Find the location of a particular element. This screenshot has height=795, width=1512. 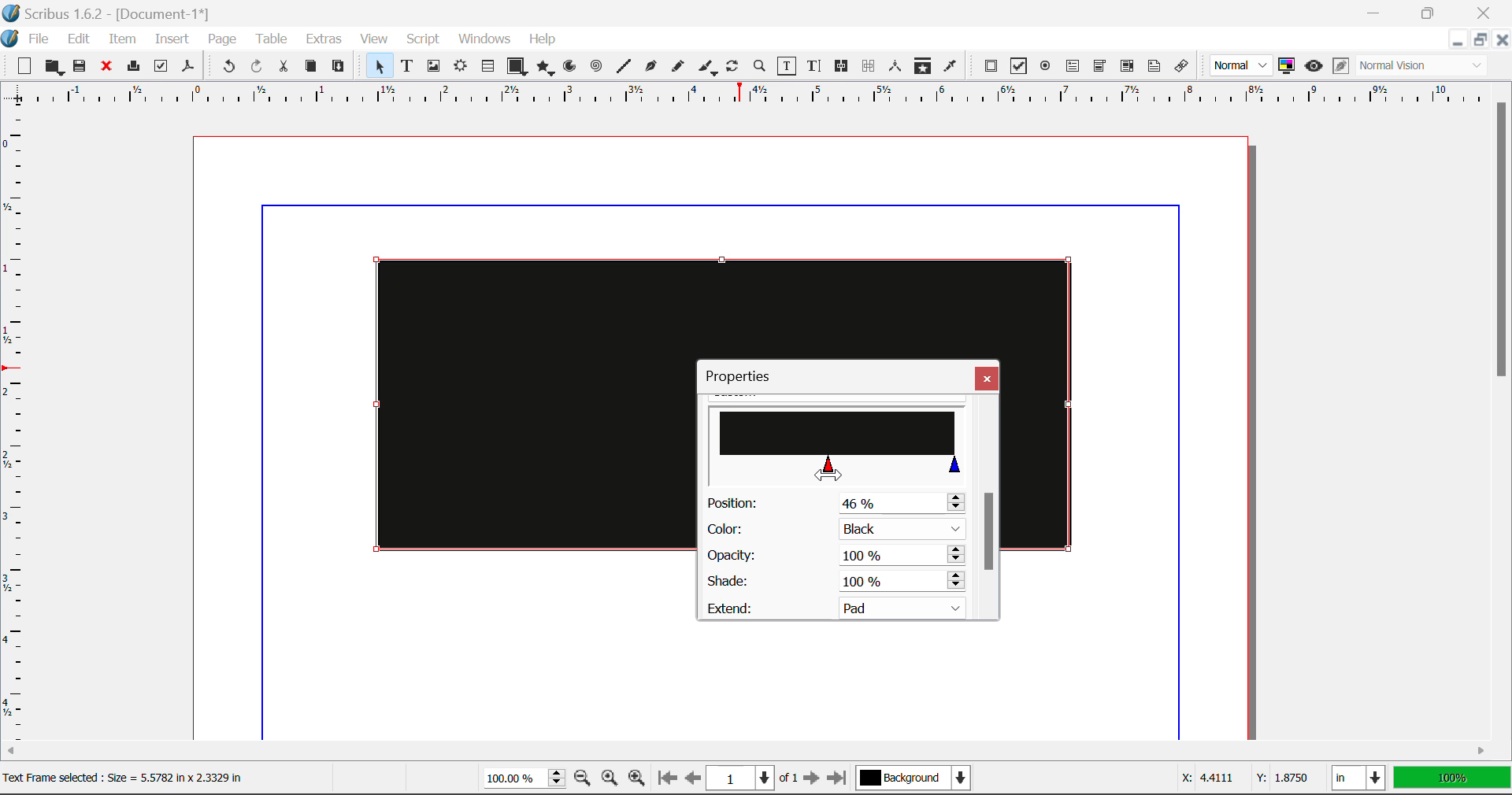

Shapes is located at coordinates (517, 68).